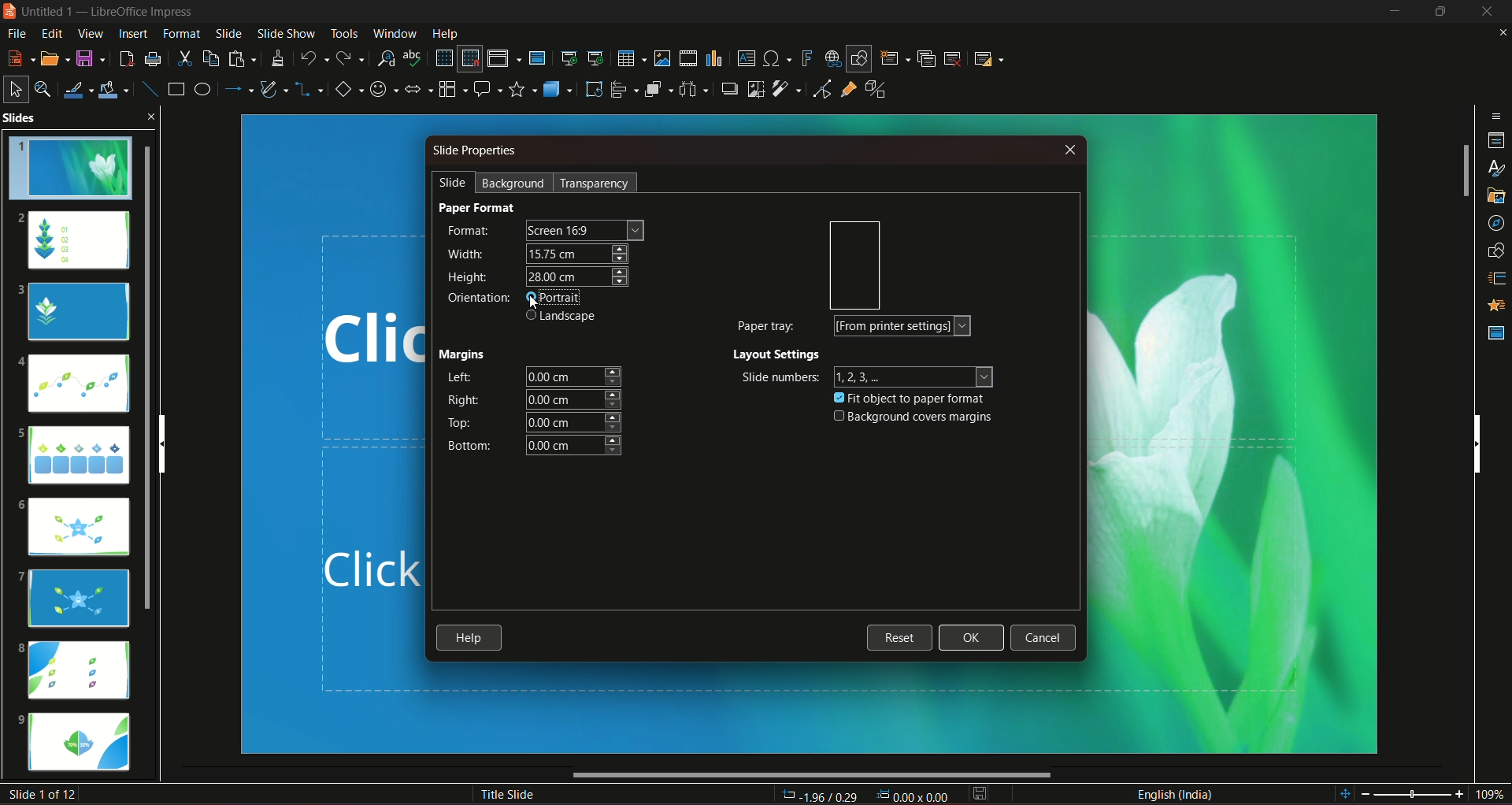  What do you see at coordinates (184, 57) in the screenshot?
I see `cut` at bounding box center [184, 57].